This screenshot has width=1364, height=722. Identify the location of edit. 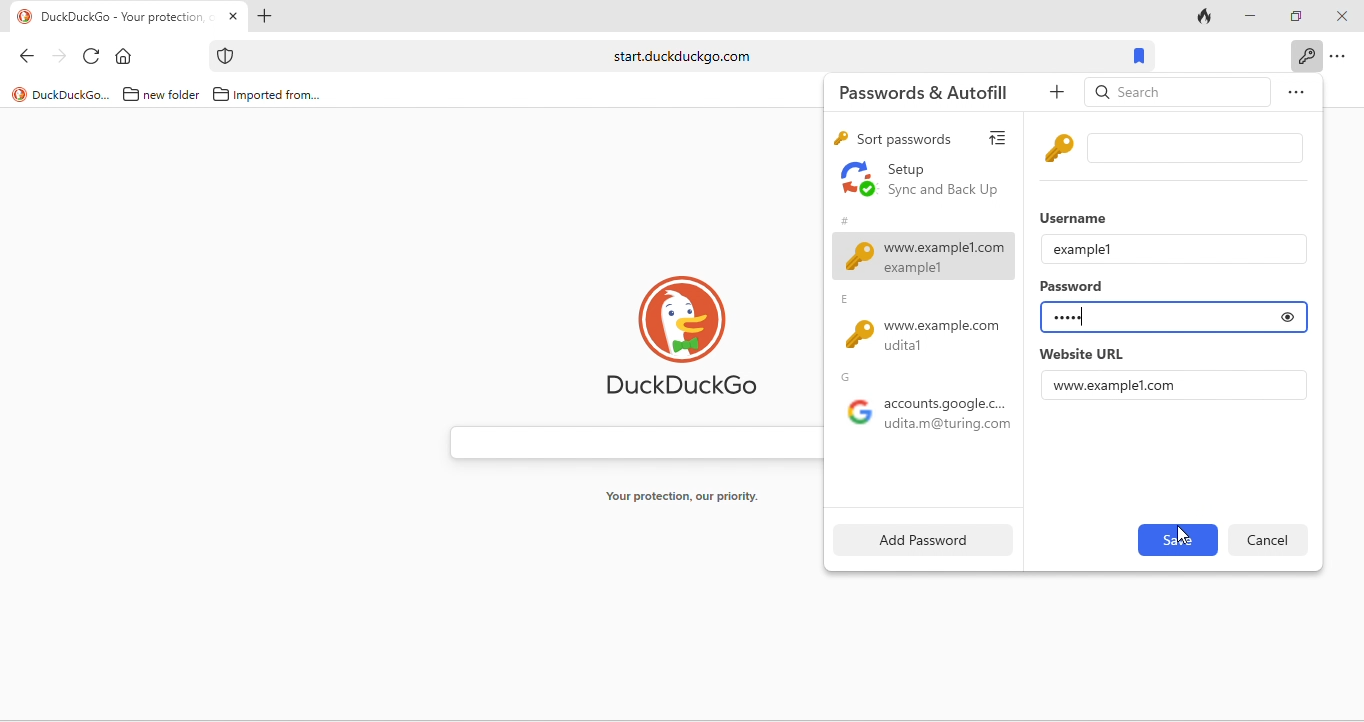
(1176, 540).